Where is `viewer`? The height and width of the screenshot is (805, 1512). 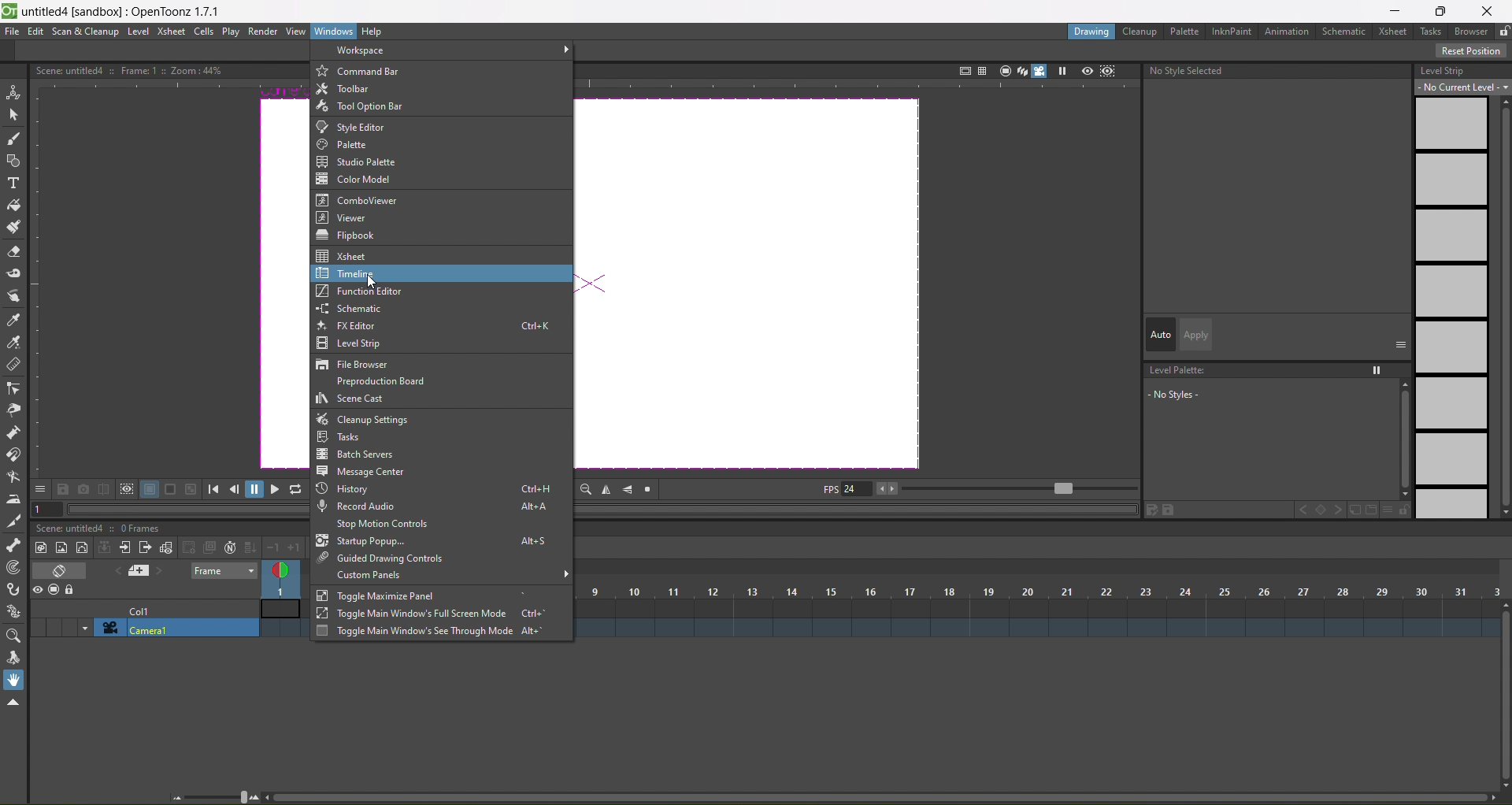
viewer is located at coordinates (350, 217).